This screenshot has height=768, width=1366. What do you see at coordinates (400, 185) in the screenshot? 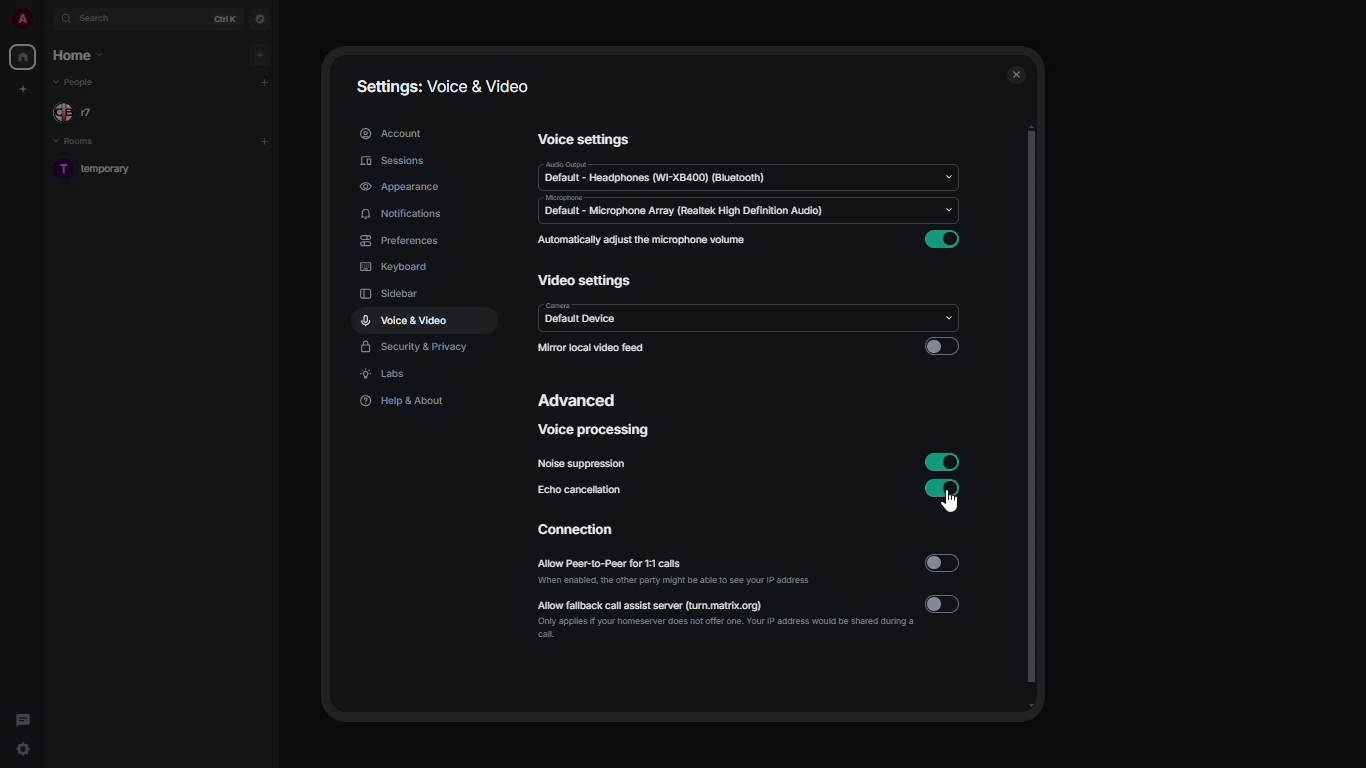
I see `appearance` at bounding box center [400, 185].